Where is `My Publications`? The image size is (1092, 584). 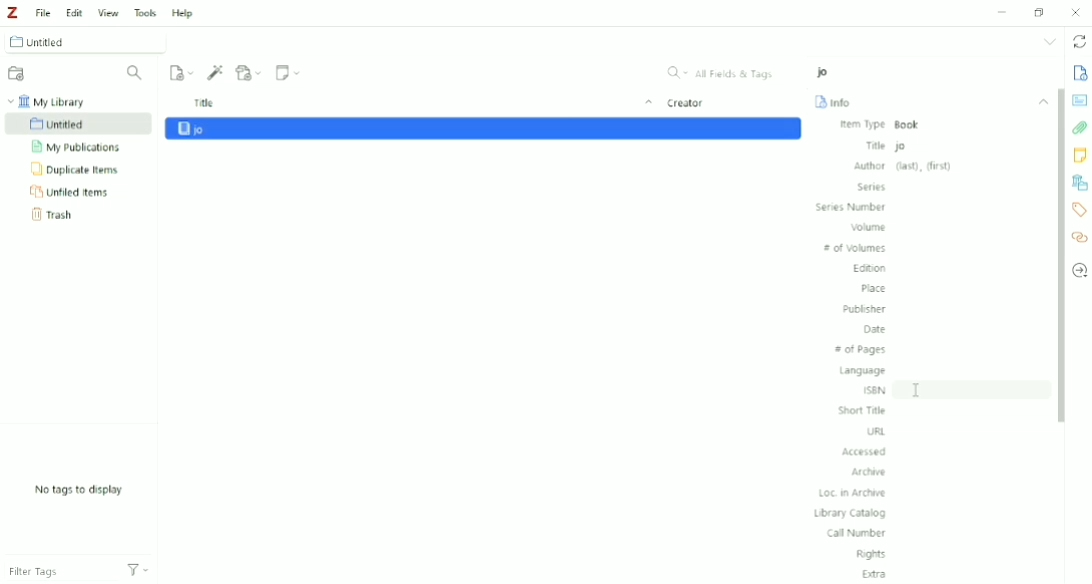
My Publications is located at coordinates (82, 147).